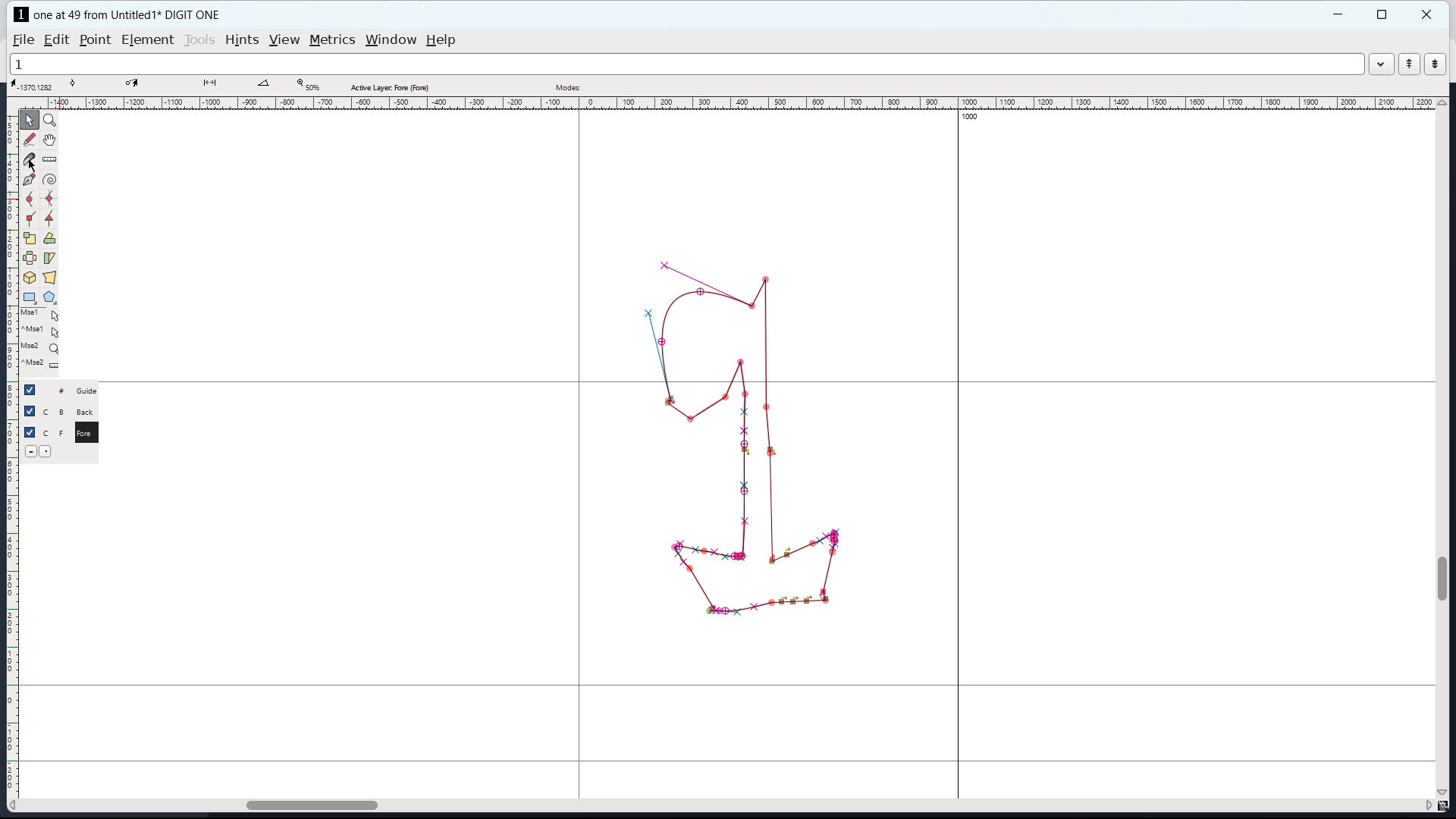 Image resolution: width=1456 pixels, height=819 pixels. Describe the element at coordinates (1445, 578) in the screenshot. I see `vertical scrollbar` at that location.